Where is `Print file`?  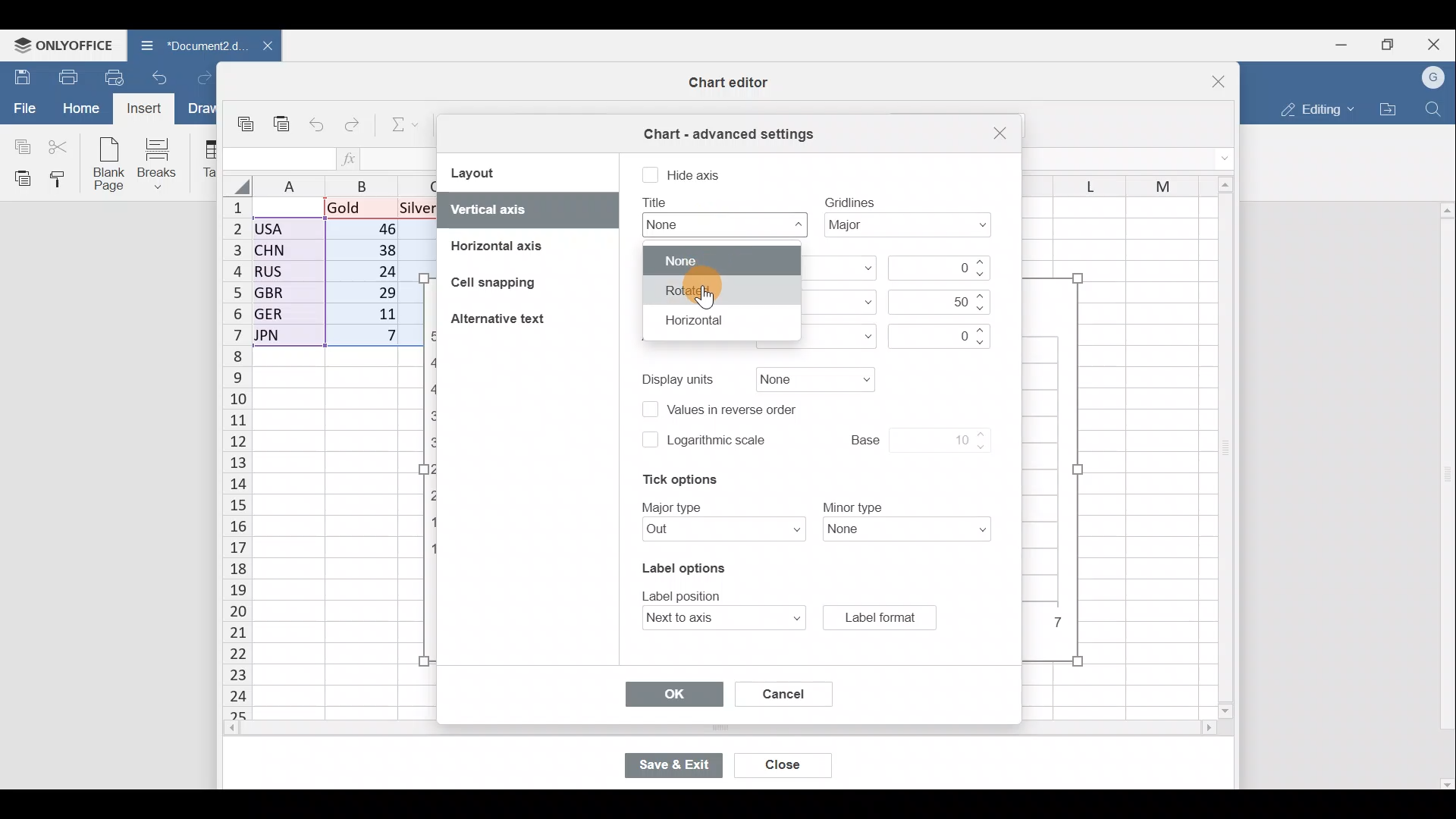
Print file is located at coordinates (64, 76).